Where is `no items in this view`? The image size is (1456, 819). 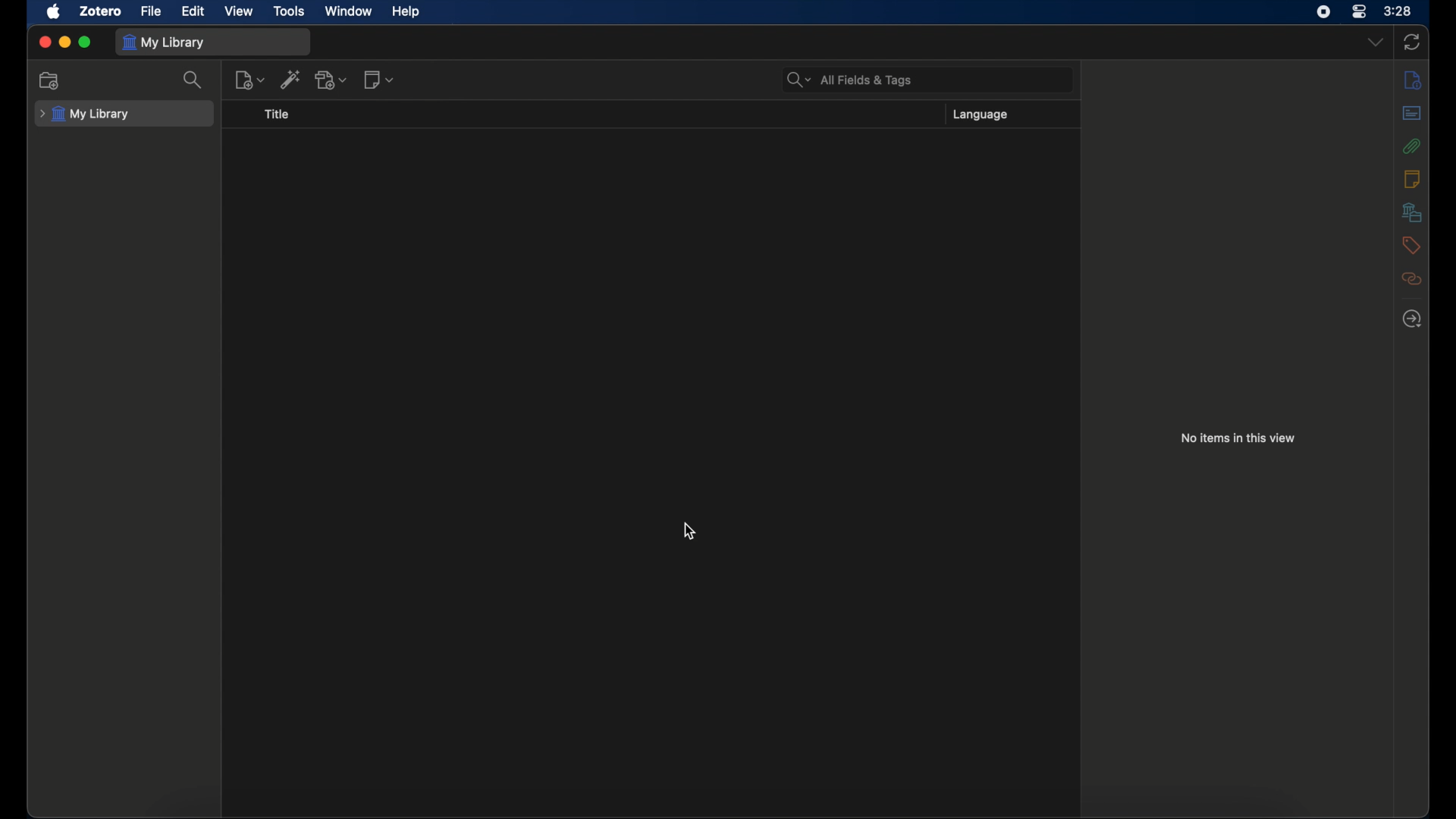 no items in this view is located at coordinates (1238, 438).